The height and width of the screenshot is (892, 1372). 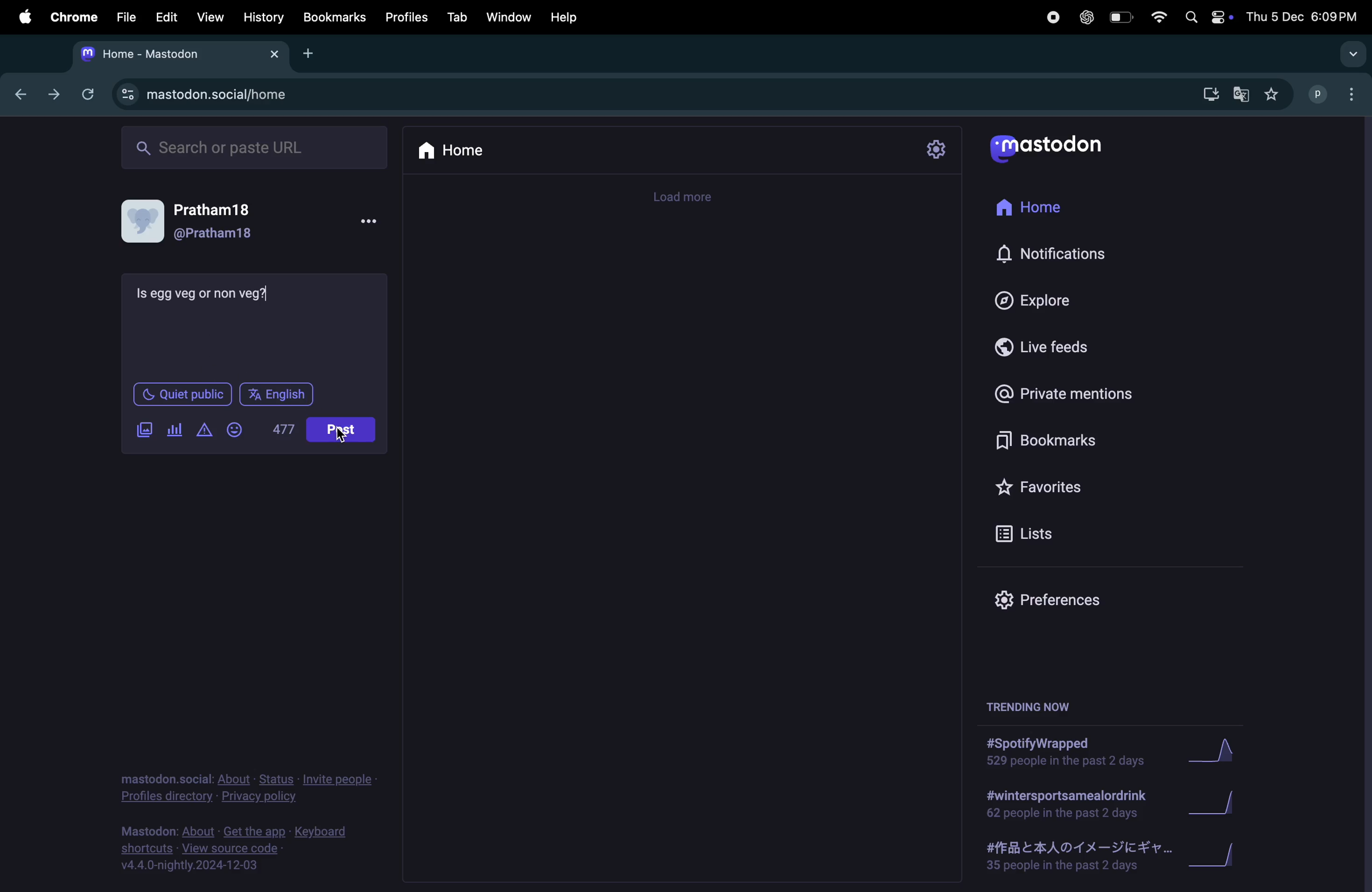 What do you see at coordinates (455, 18) in the screenshot?
I see `tab` at bounding box center [455, 18].